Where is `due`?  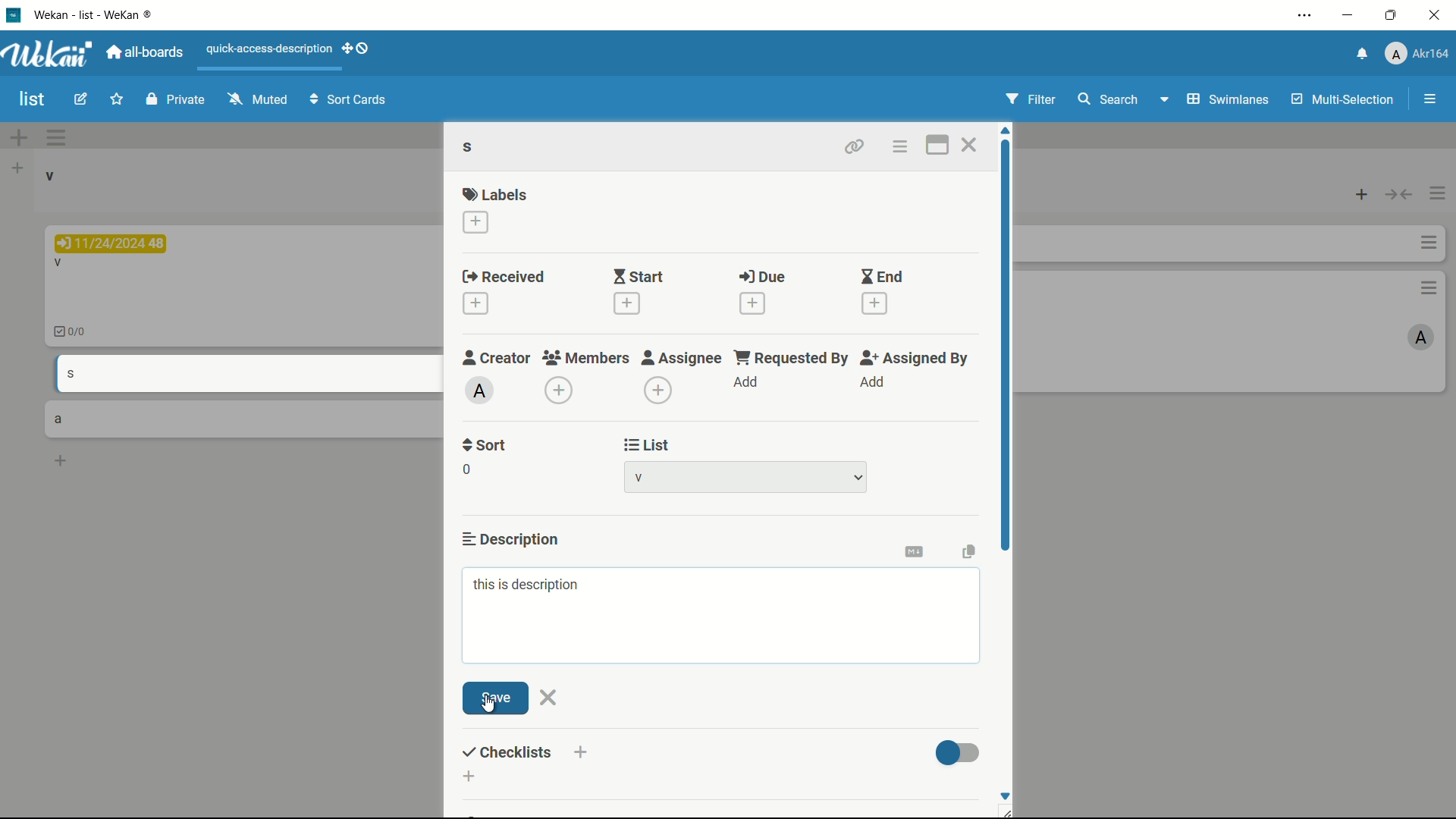
due is located at coordinates (762, 277).